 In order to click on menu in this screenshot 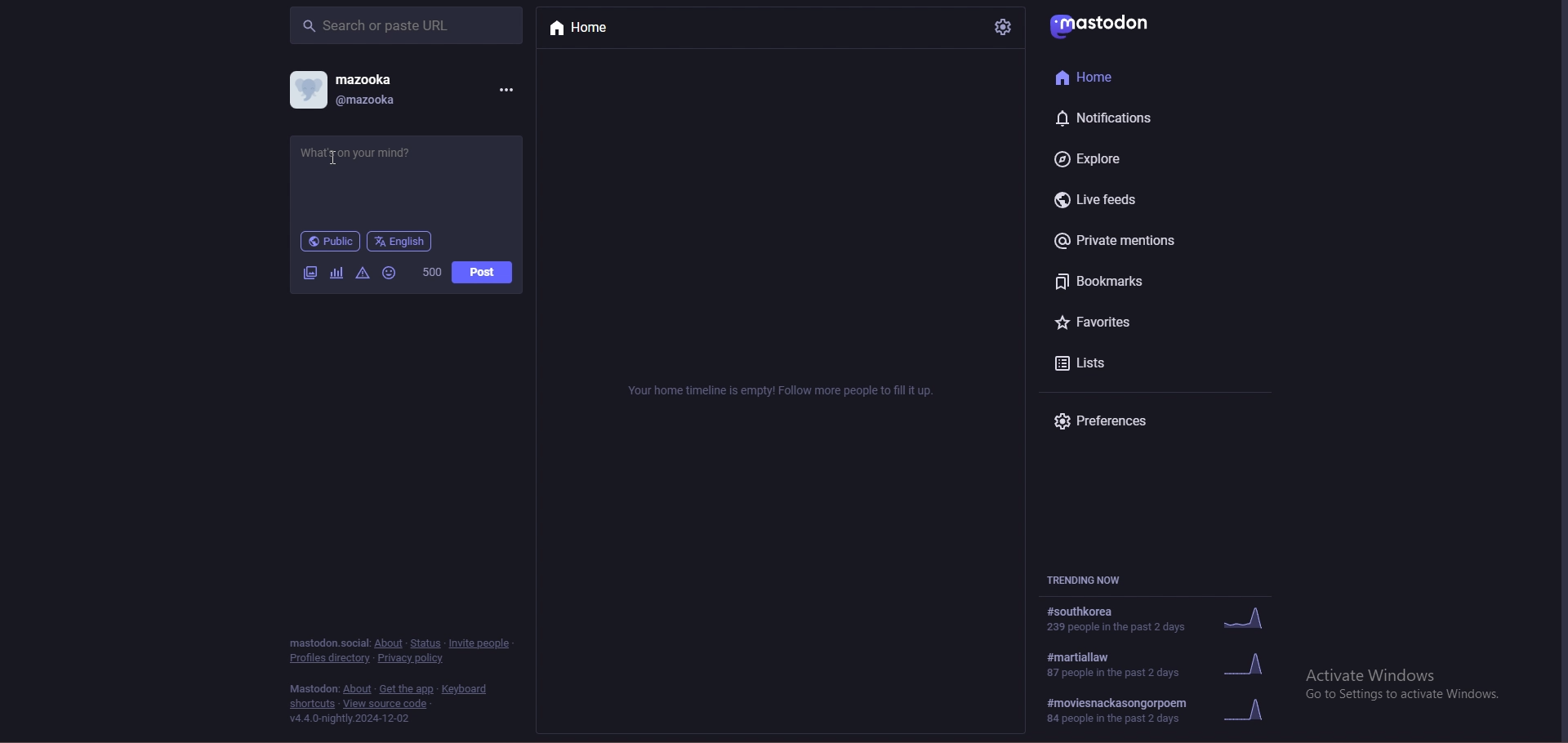, I will do `click(506, 88)`.